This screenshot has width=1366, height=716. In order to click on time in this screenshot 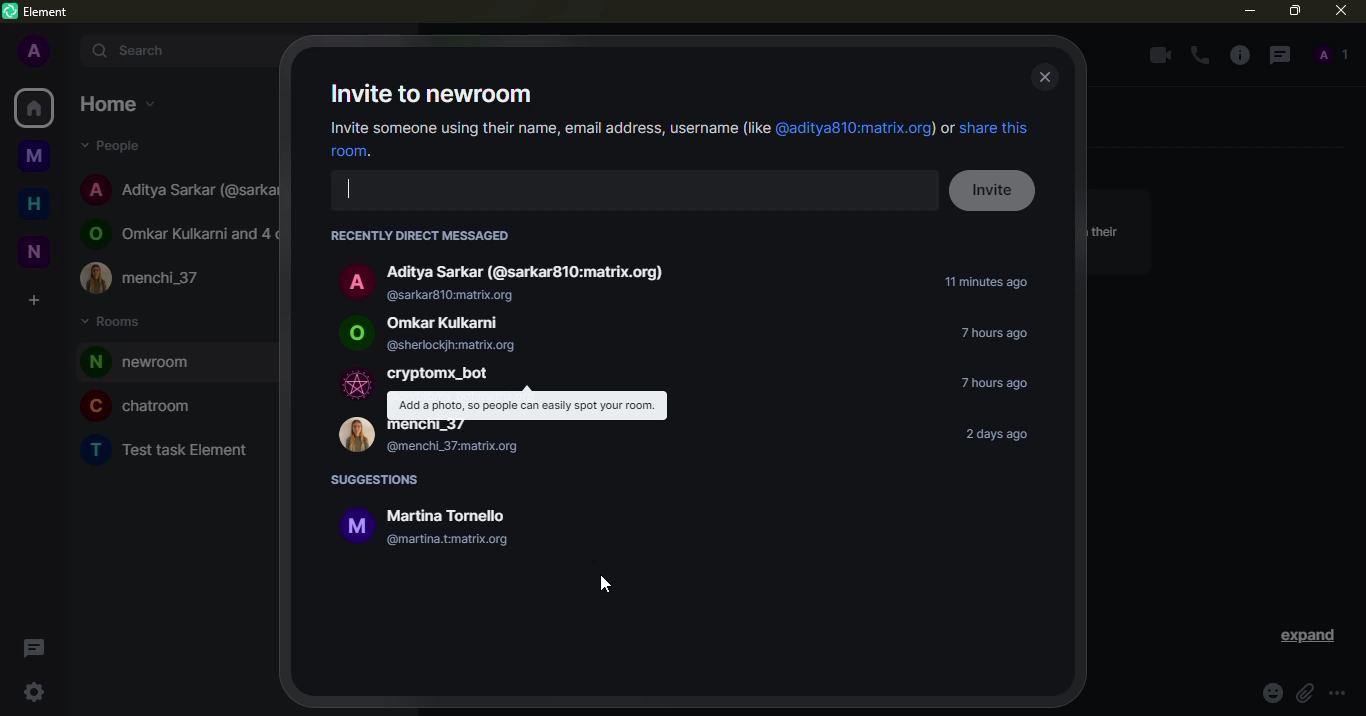, I will do `click(996, 382)`.